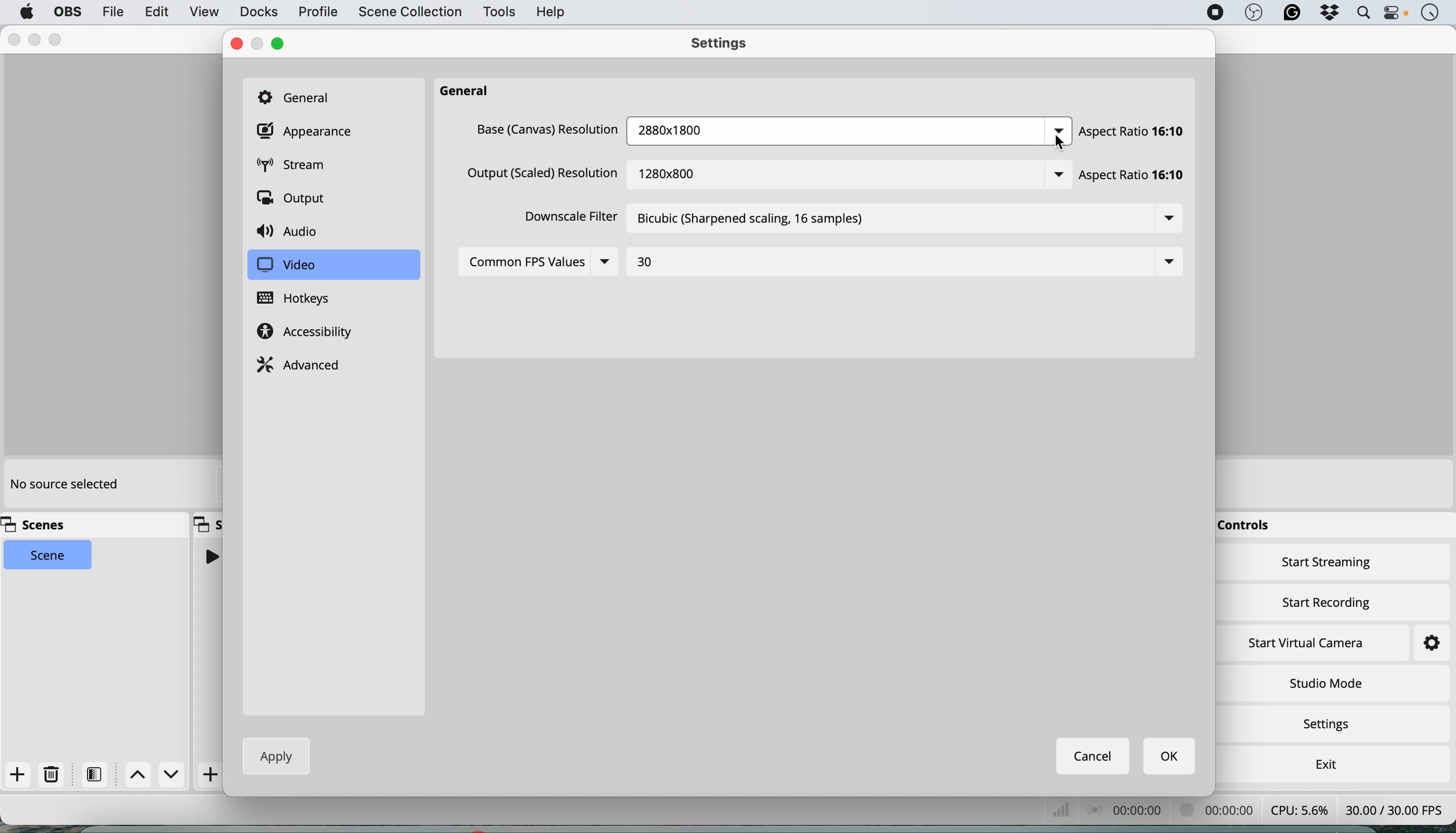  What do you see at coordinates (112, 11) in the screenshot?
I see `file` at bounding box center [112, 11].